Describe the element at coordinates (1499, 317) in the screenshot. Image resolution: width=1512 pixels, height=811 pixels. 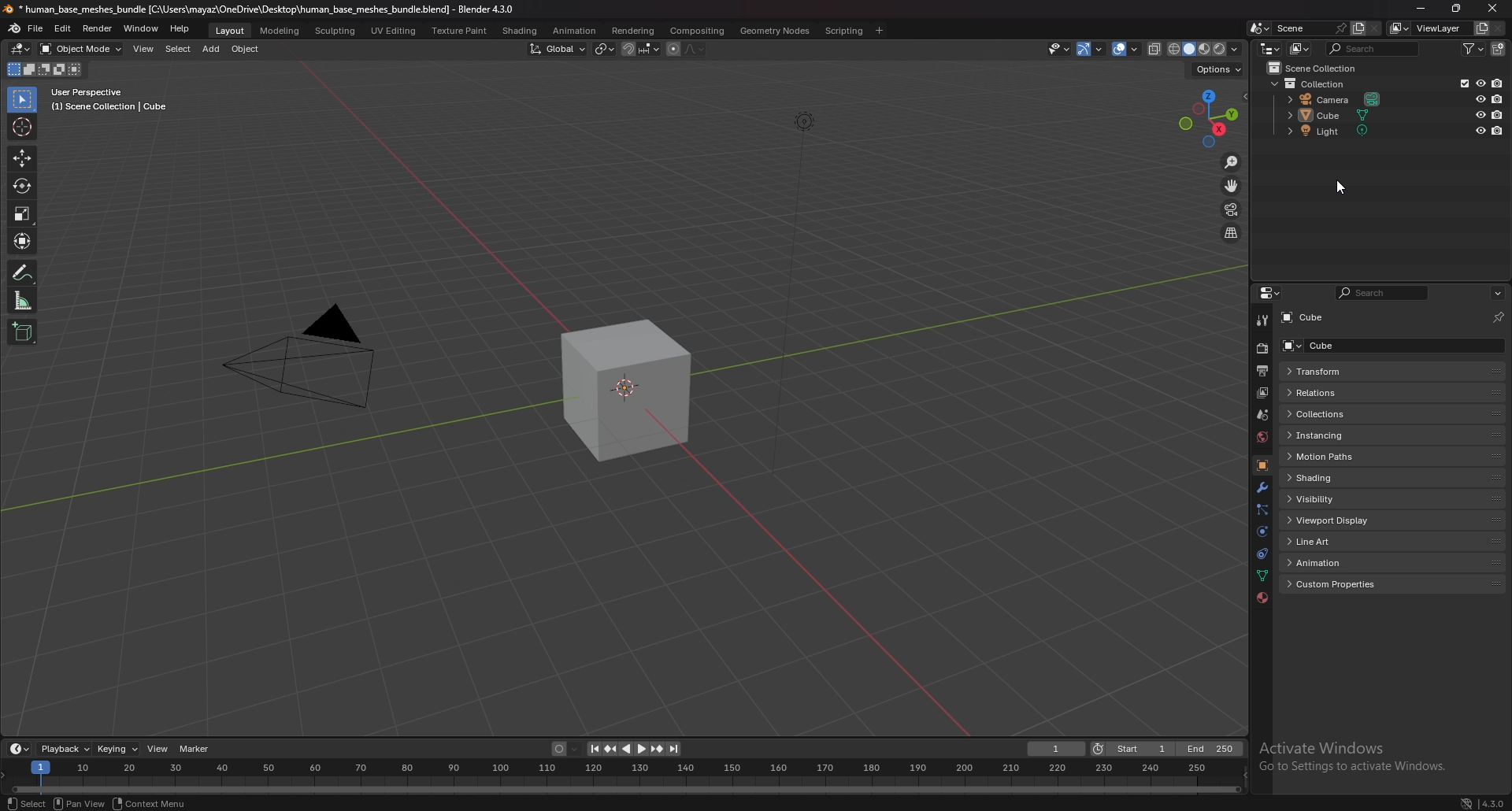
I see `toggle pin id` at that location.